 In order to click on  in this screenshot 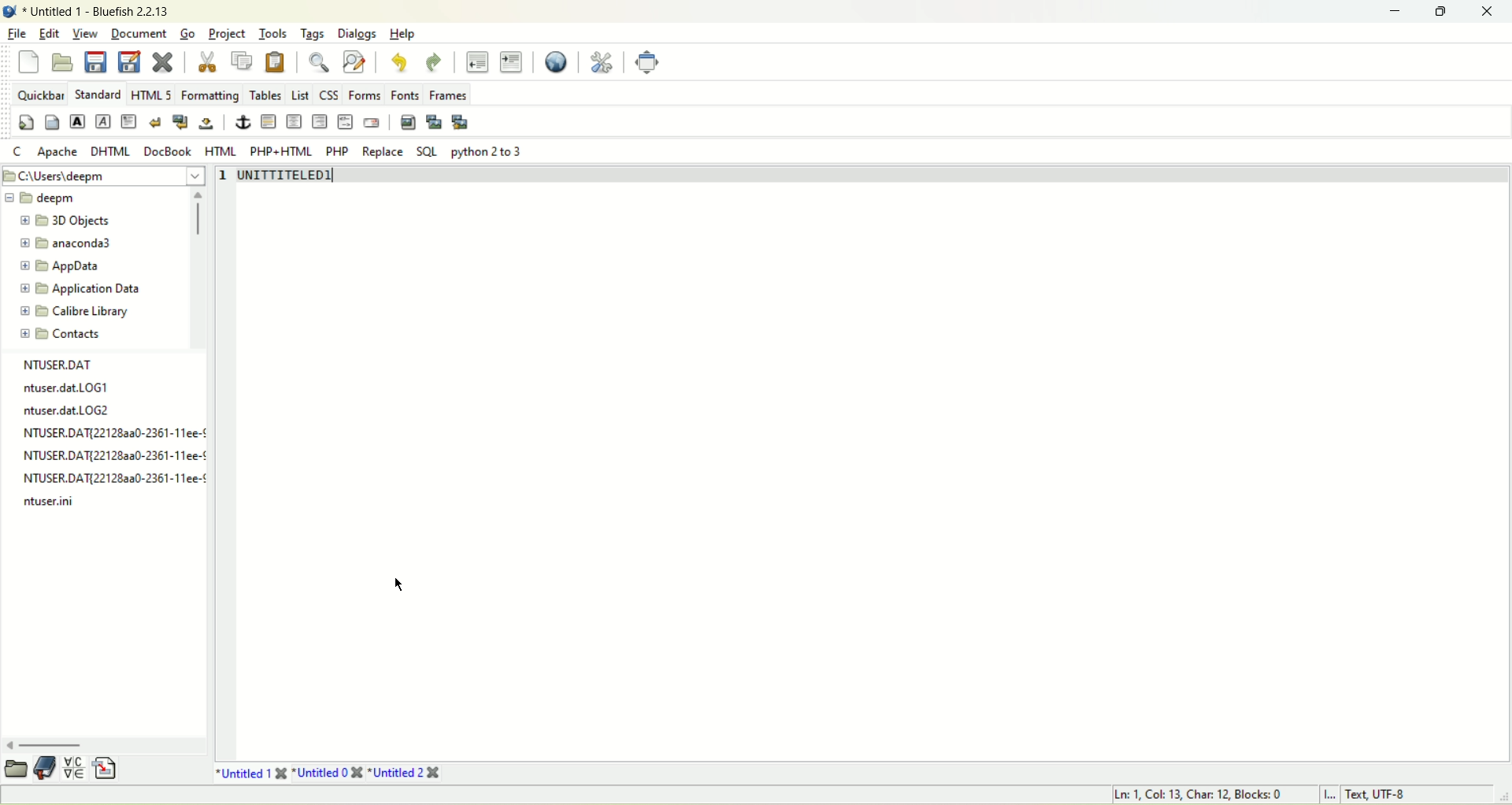, I will do `click(114, 433)`.